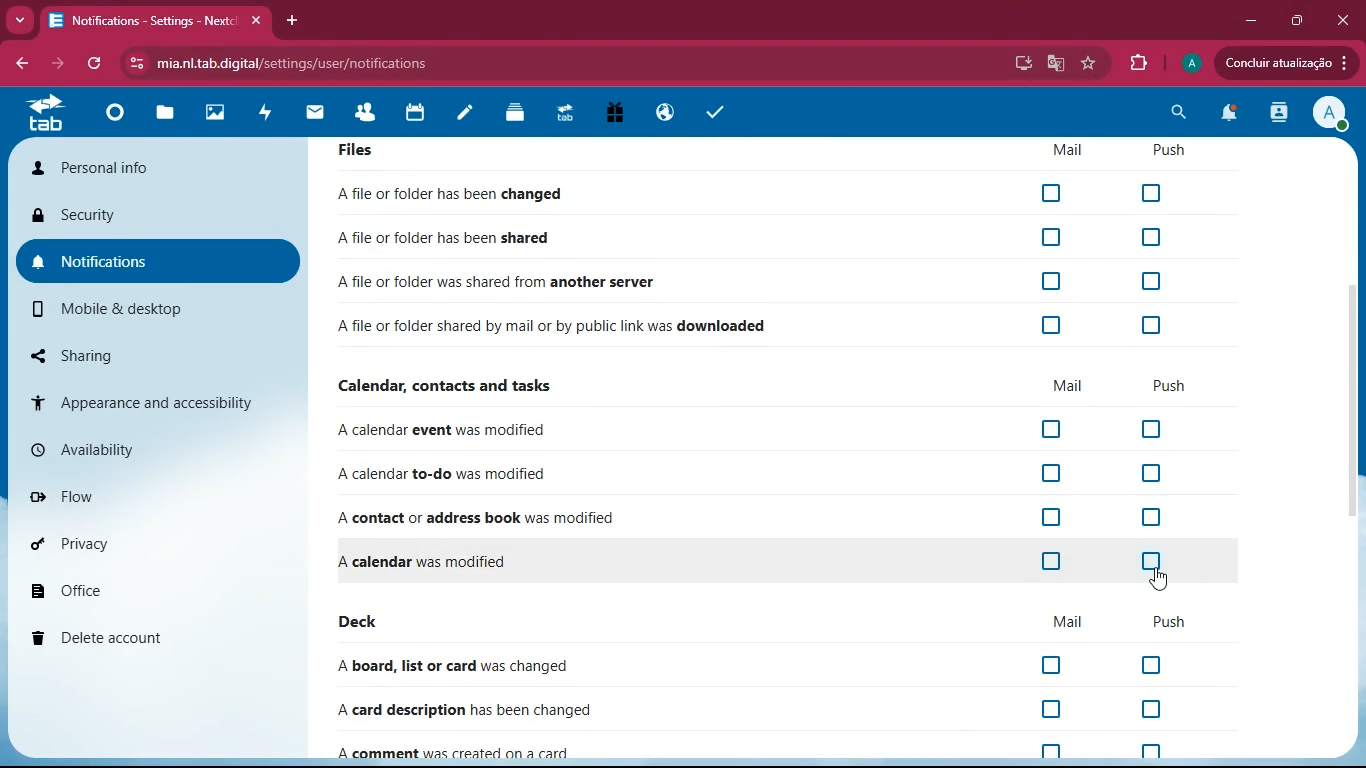 The image size is (1366, 768). Describe the element at coordinates (447, 471) in the screenshot. I see `to-do` at that location.